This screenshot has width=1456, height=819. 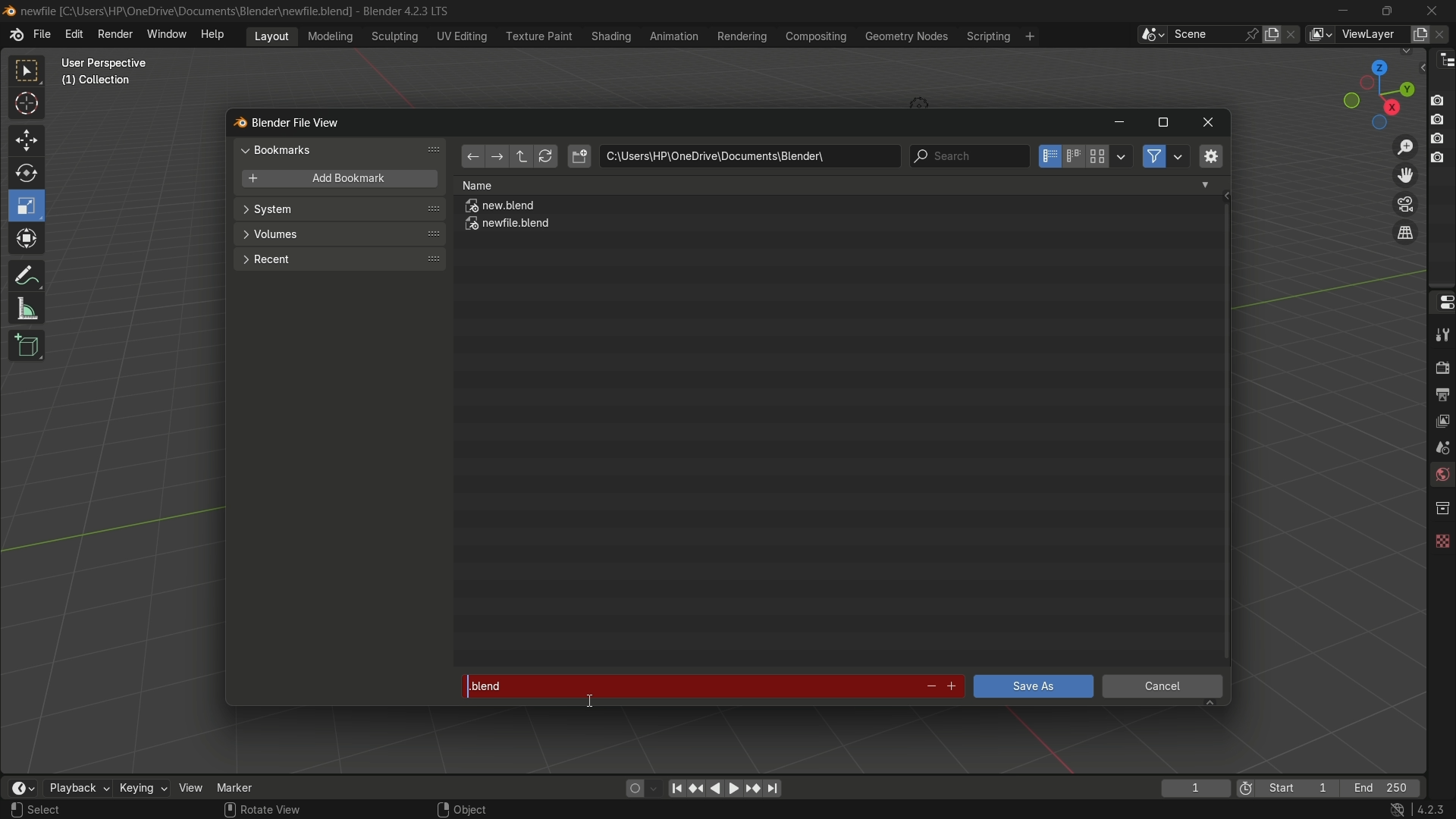 I want to click on uv editing menu, so click(x=462, y=36).